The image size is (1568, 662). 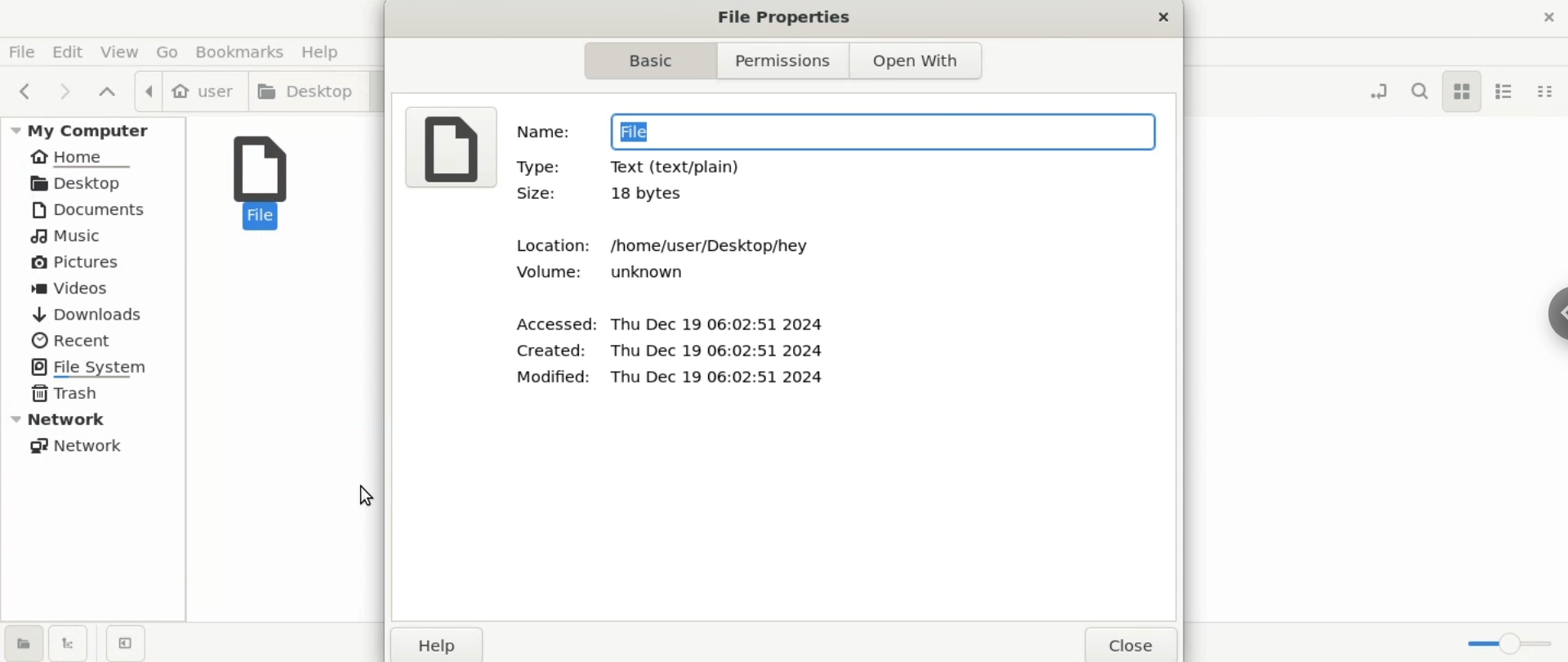 I want to click on trash, so click(x=91, y=395).